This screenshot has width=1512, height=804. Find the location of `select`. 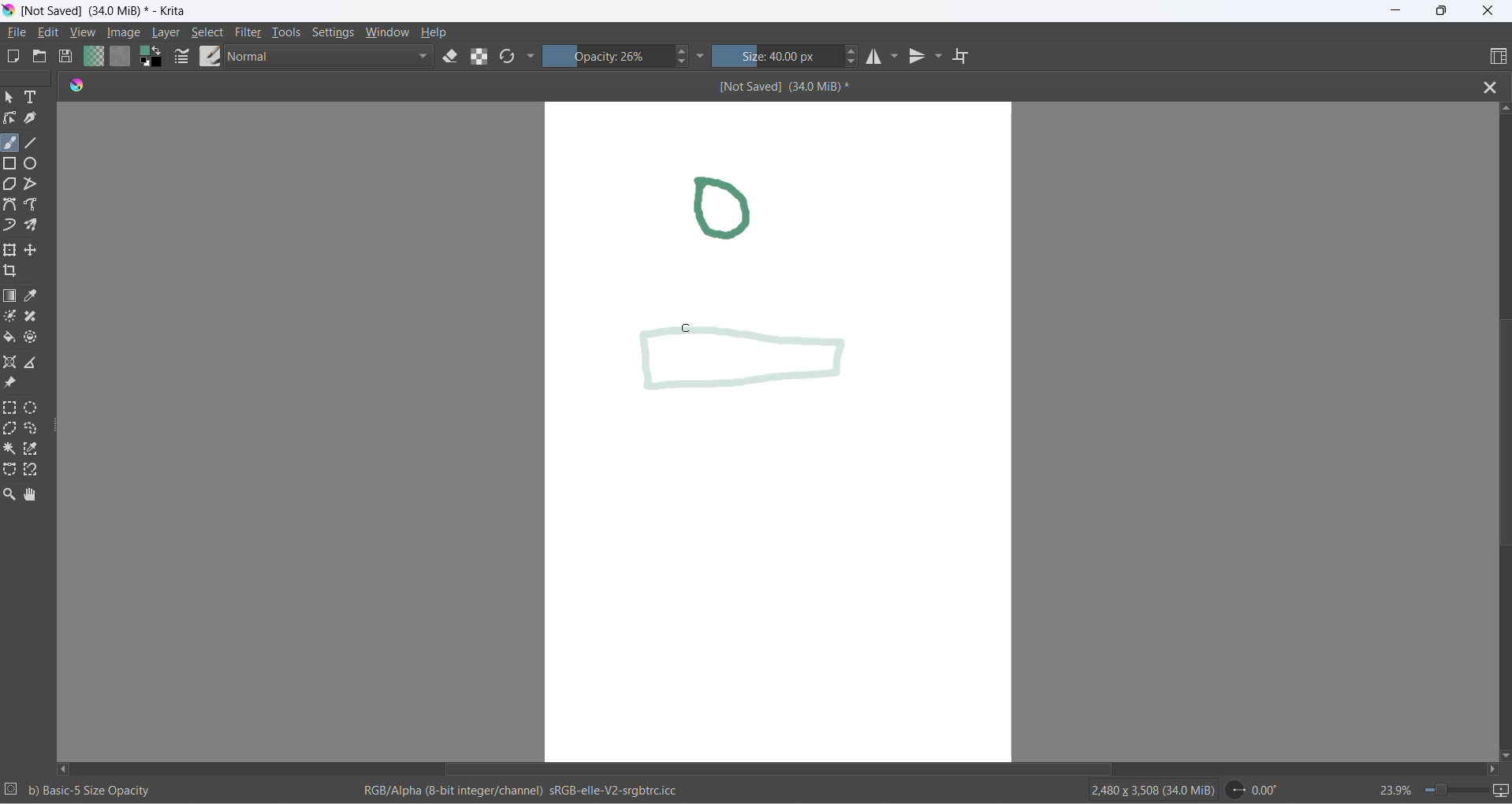

select is located at coordinates (210, 32).